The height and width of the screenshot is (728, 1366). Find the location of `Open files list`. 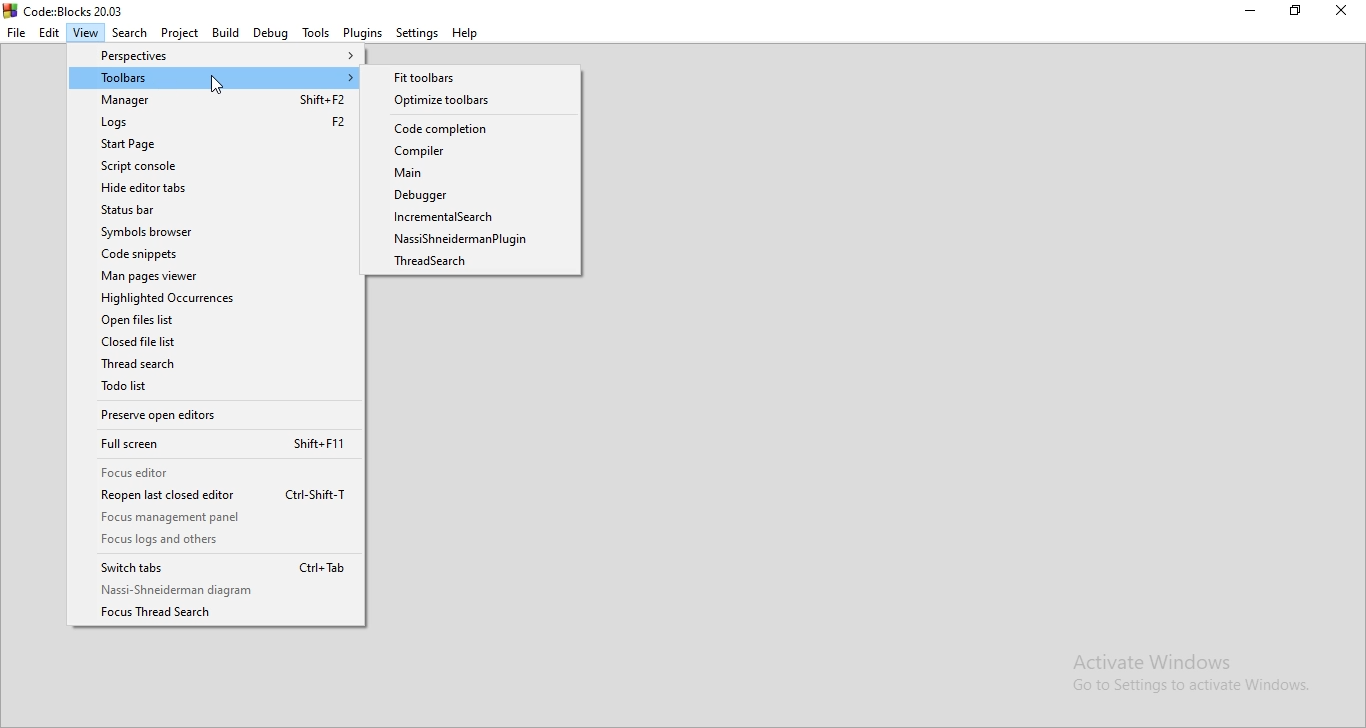

Open files list is located at coordinates (214, 319).